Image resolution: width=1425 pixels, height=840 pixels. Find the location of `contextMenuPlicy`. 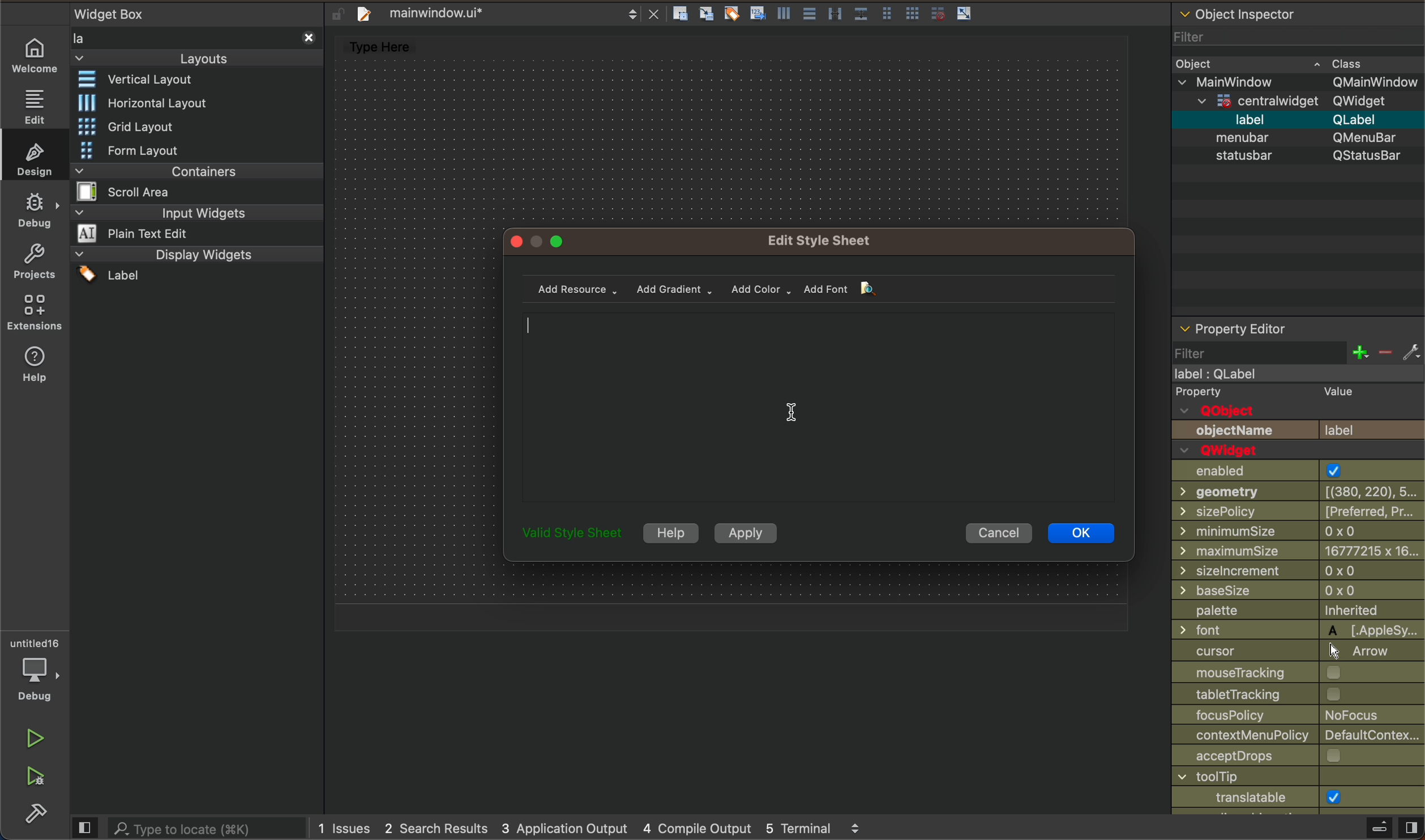

contextMenuPlicy is located at coordinates (1299, 736).